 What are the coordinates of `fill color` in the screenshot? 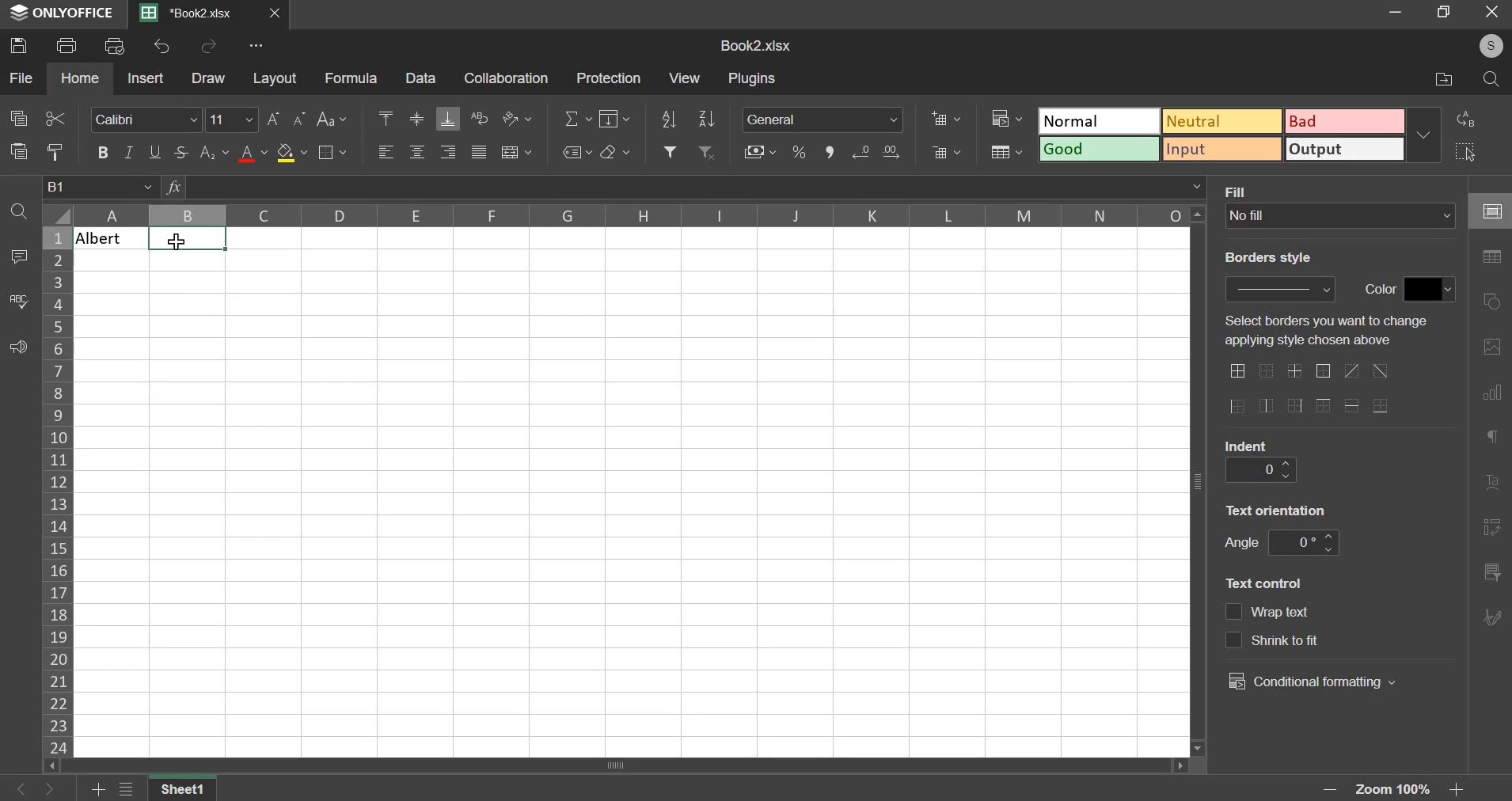 It's located at (292, 153).